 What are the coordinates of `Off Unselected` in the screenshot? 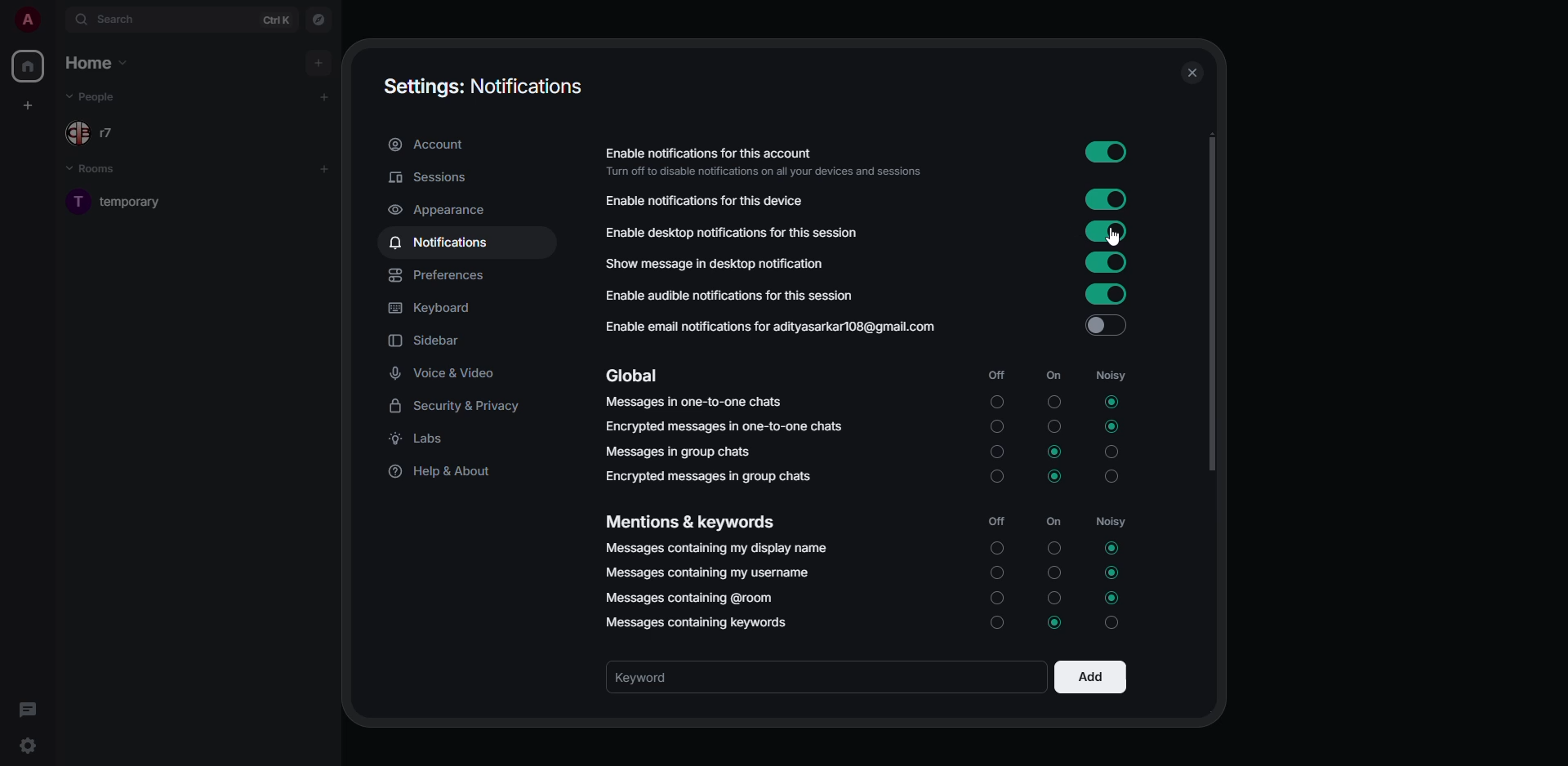 It's located at (999, 626).